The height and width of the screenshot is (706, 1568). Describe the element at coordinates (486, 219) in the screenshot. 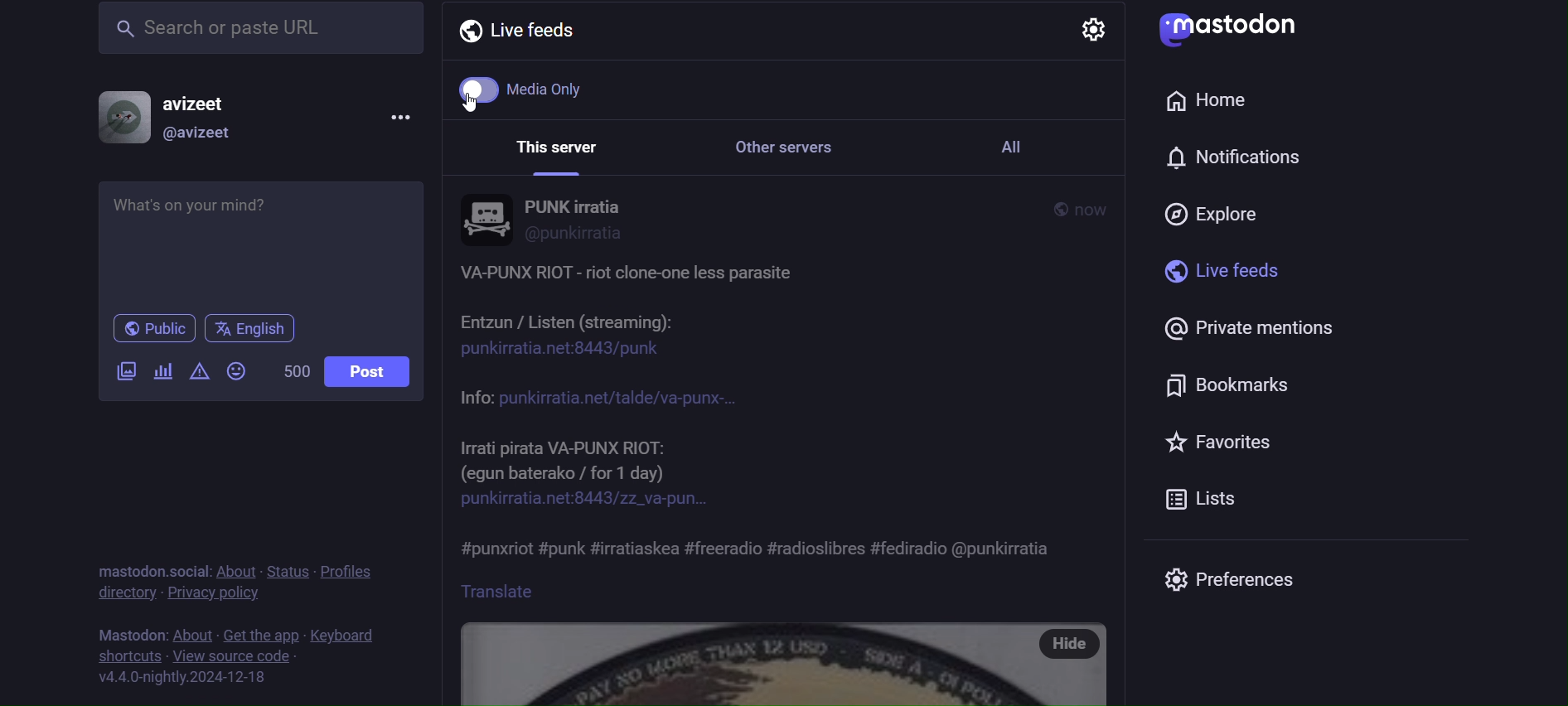

I see `profilepicture` at that location.